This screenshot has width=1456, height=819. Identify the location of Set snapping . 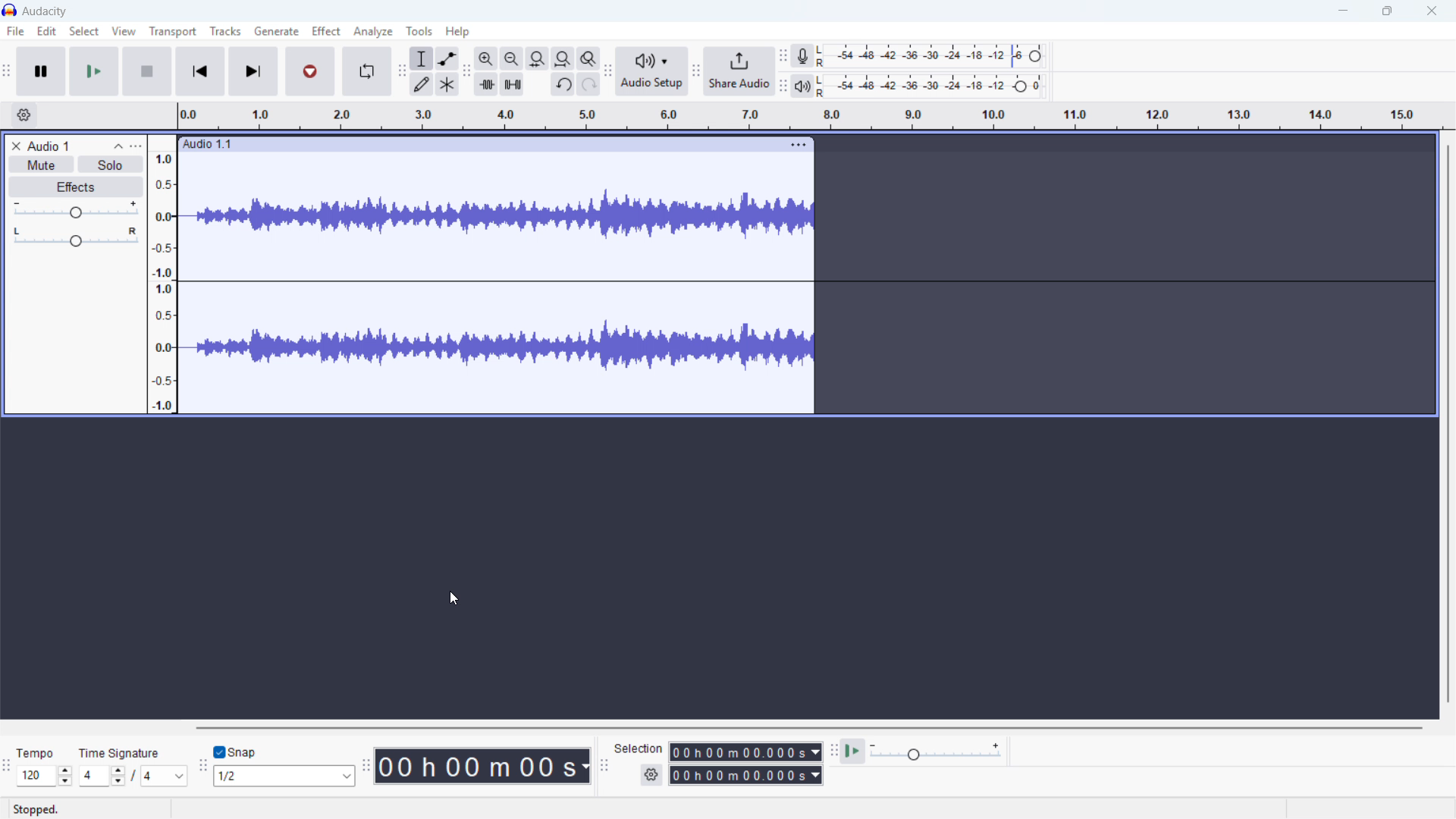
(284, 776).